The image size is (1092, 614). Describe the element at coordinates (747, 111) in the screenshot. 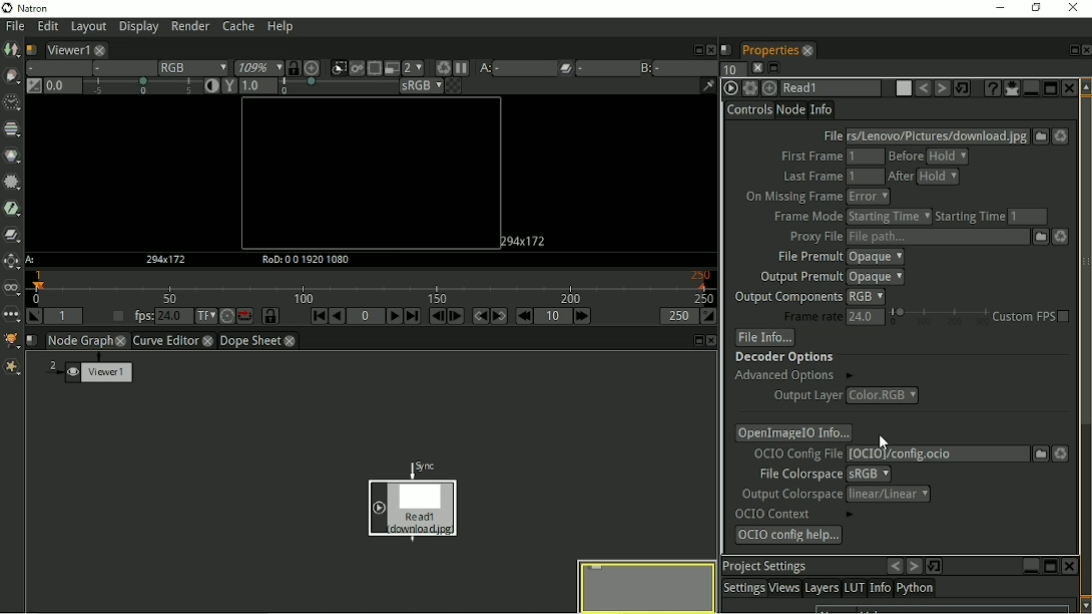

I see `Controls` at that location.